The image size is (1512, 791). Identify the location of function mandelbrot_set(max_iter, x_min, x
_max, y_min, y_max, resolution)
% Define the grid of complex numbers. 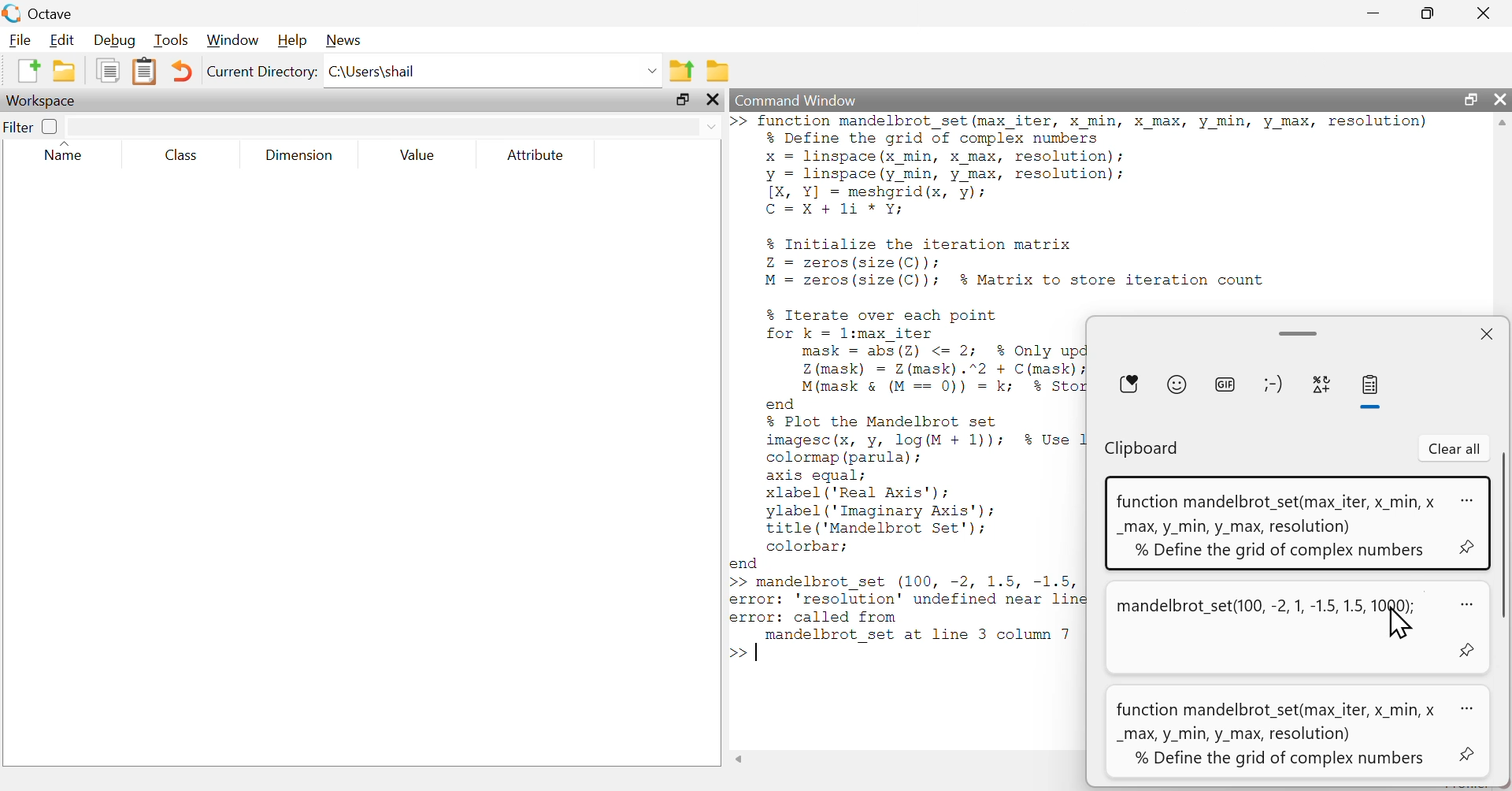
(1275, 522).